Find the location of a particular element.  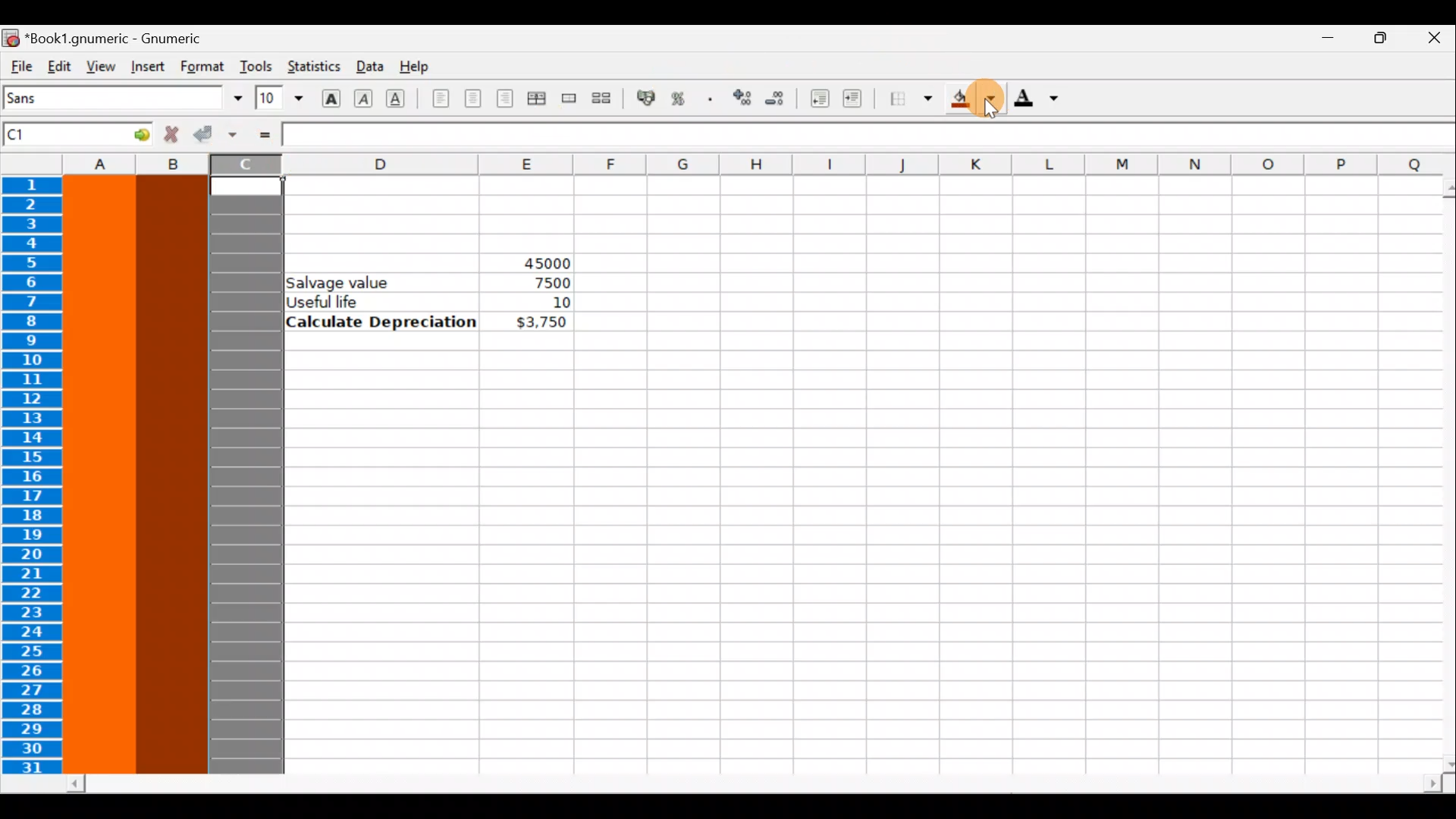

Split merged range of cells is located at coordinates (602, 97).